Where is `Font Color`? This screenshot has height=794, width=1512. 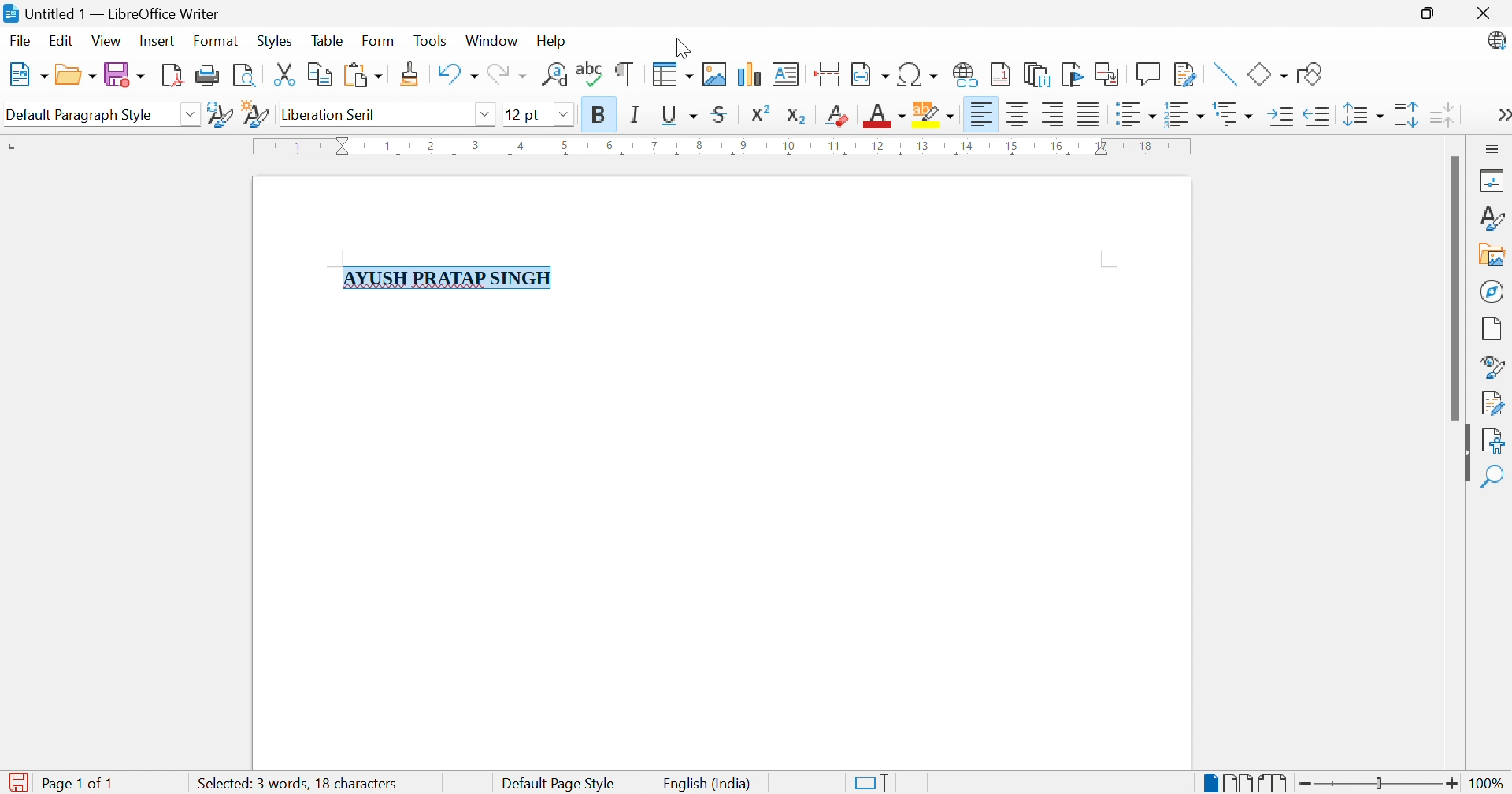
Font Color is located at coordinates (882, 116).